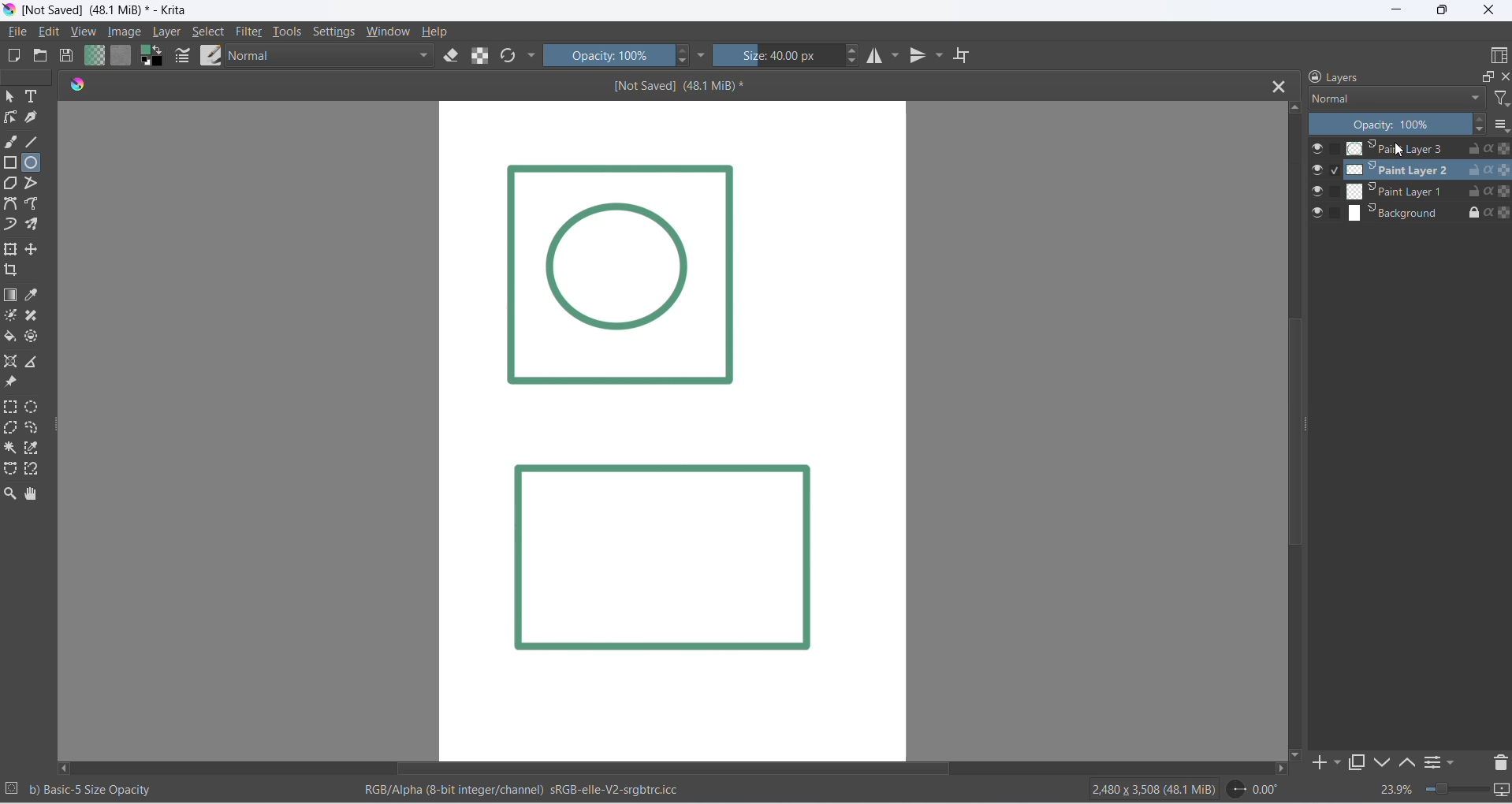 The image size is (1512, 804). Describe the element at coordinates (130, 33) in the screenshot. I see `image` at that location.